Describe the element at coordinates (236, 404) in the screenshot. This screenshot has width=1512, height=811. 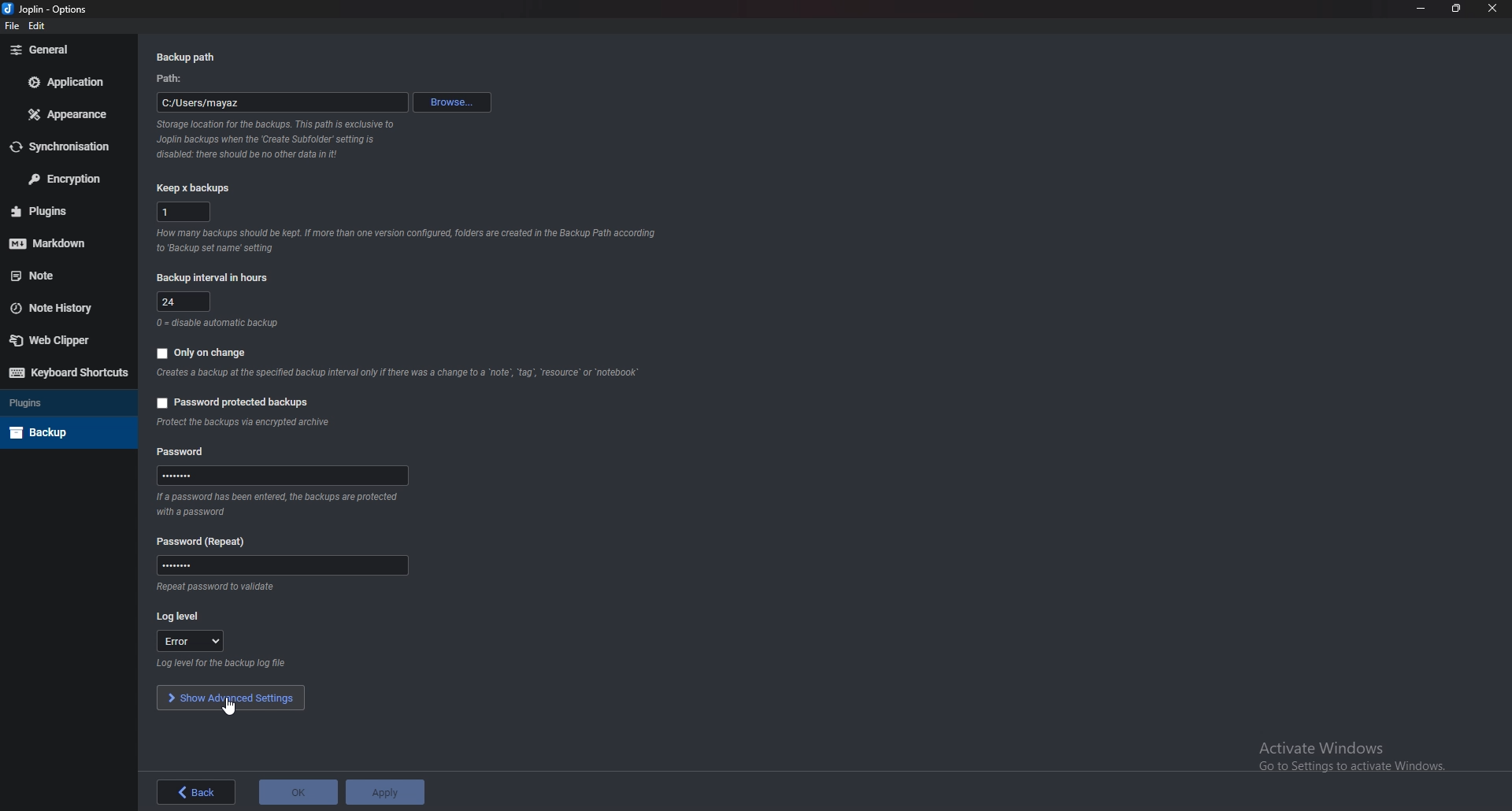
I see `Password protected backups` at that location.